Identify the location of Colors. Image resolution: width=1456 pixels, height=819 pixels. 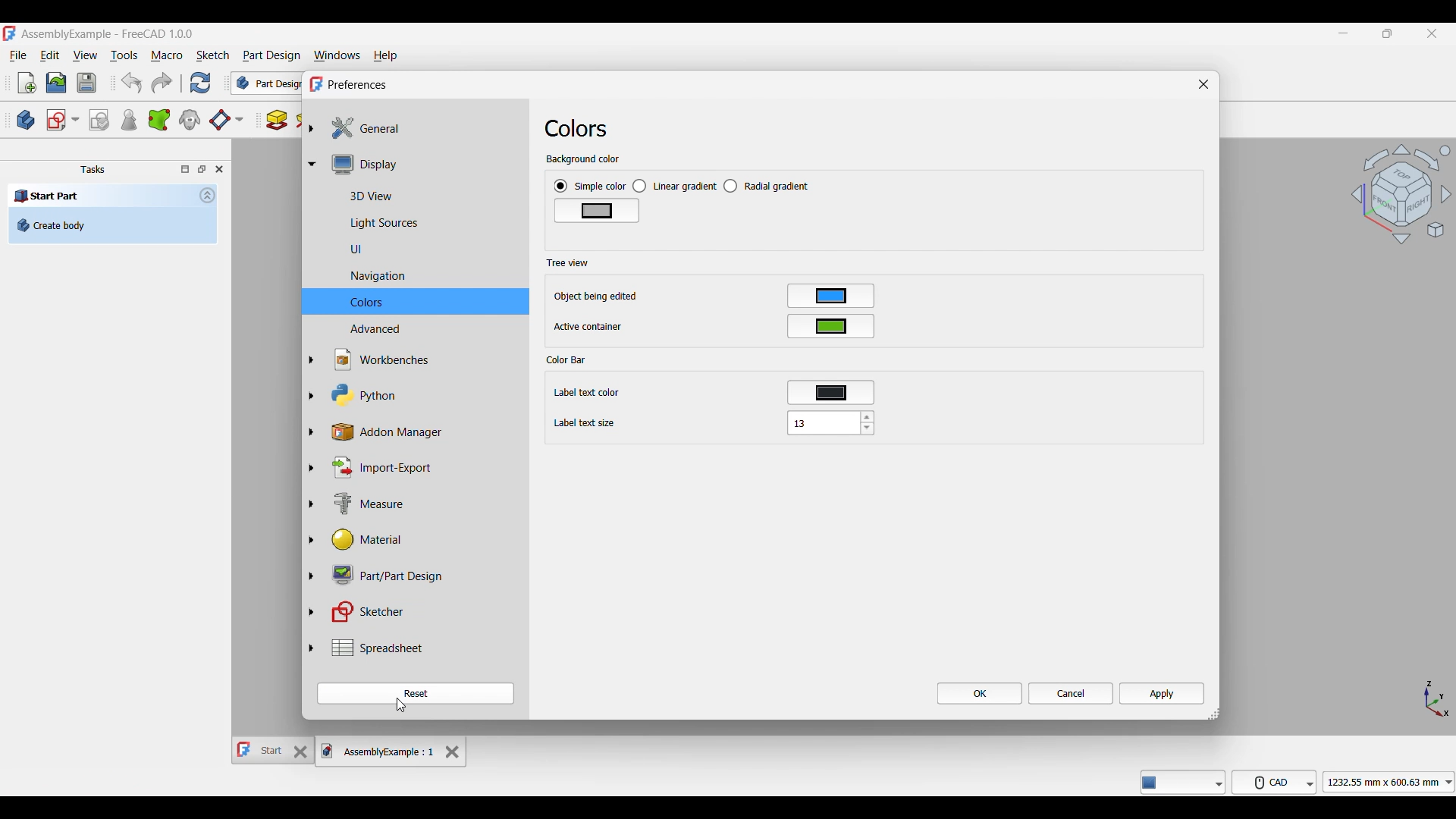
(582, 128).